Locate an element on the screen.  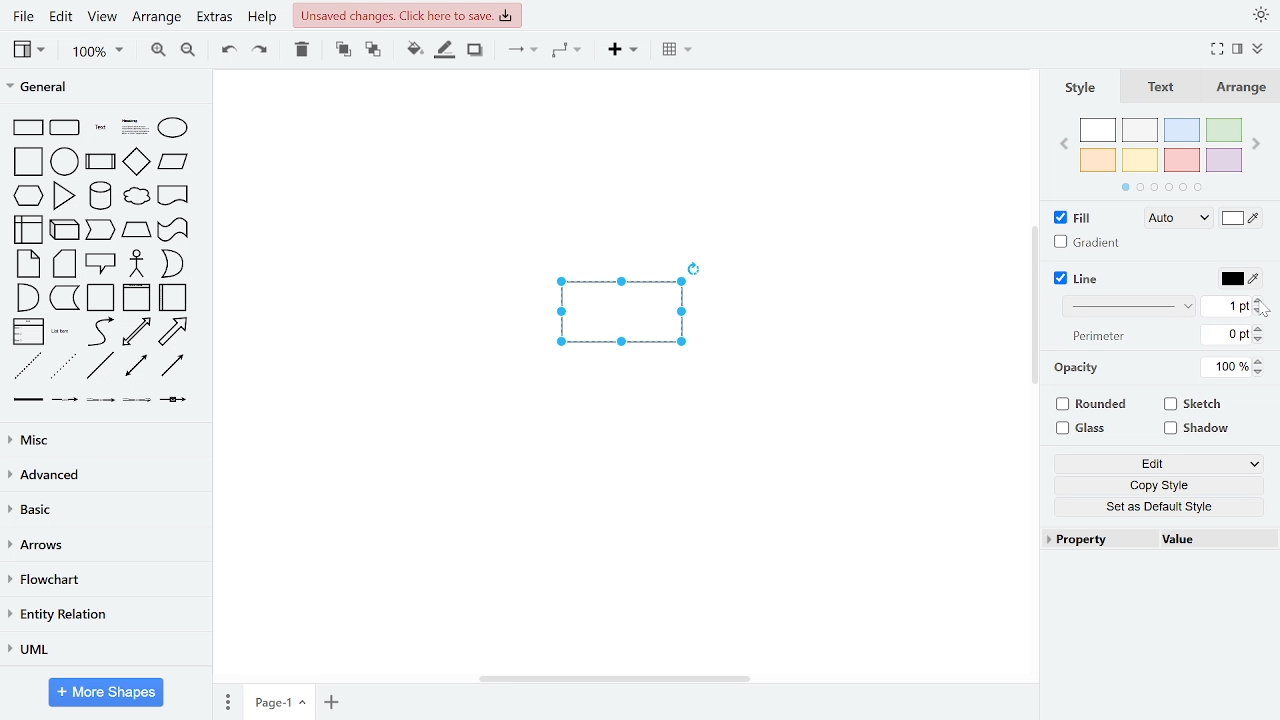
current page is located at coordinates (277, 703).